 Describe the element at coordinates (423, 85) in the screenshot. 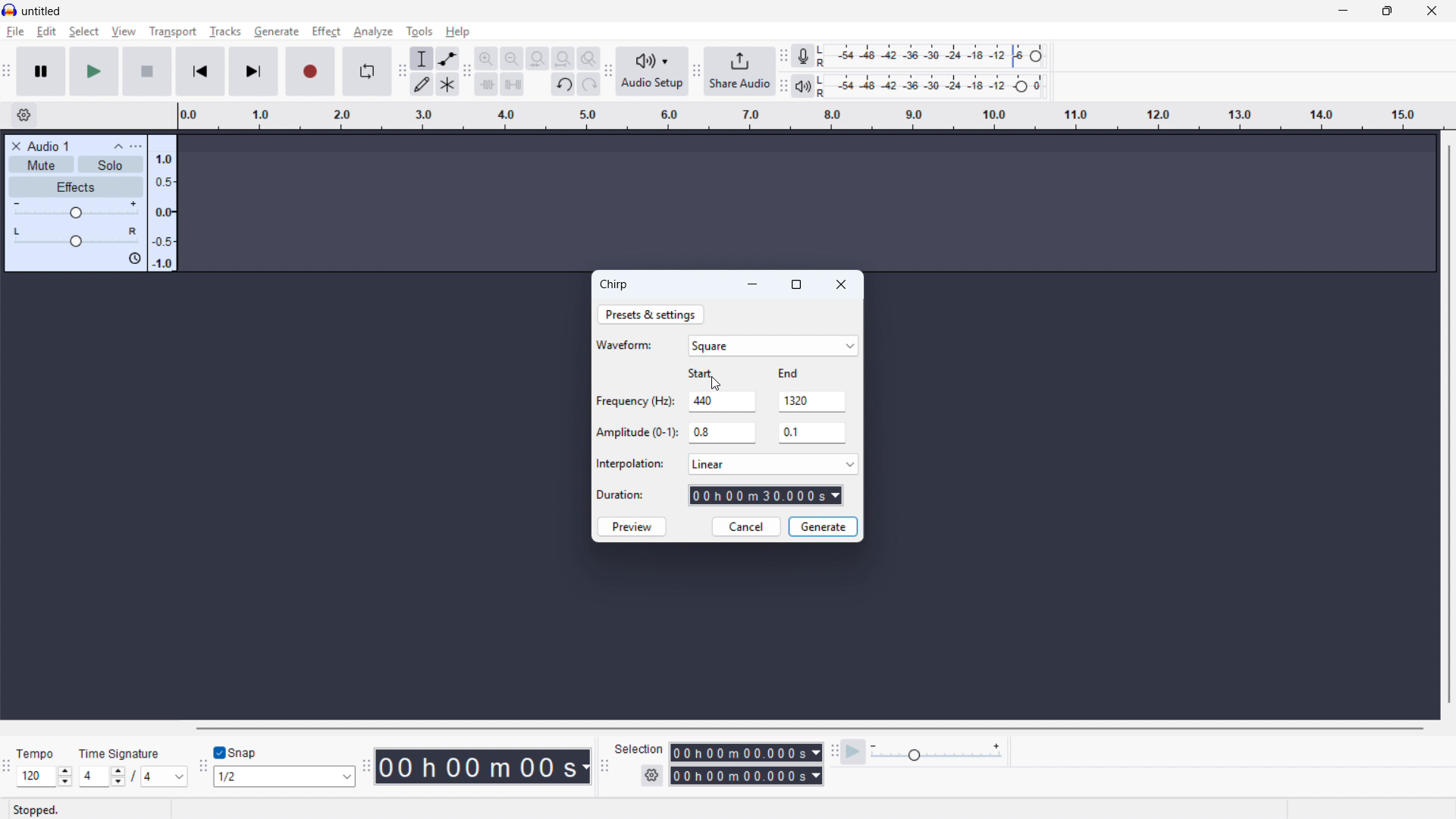

I see `Draw tool ` at that location.